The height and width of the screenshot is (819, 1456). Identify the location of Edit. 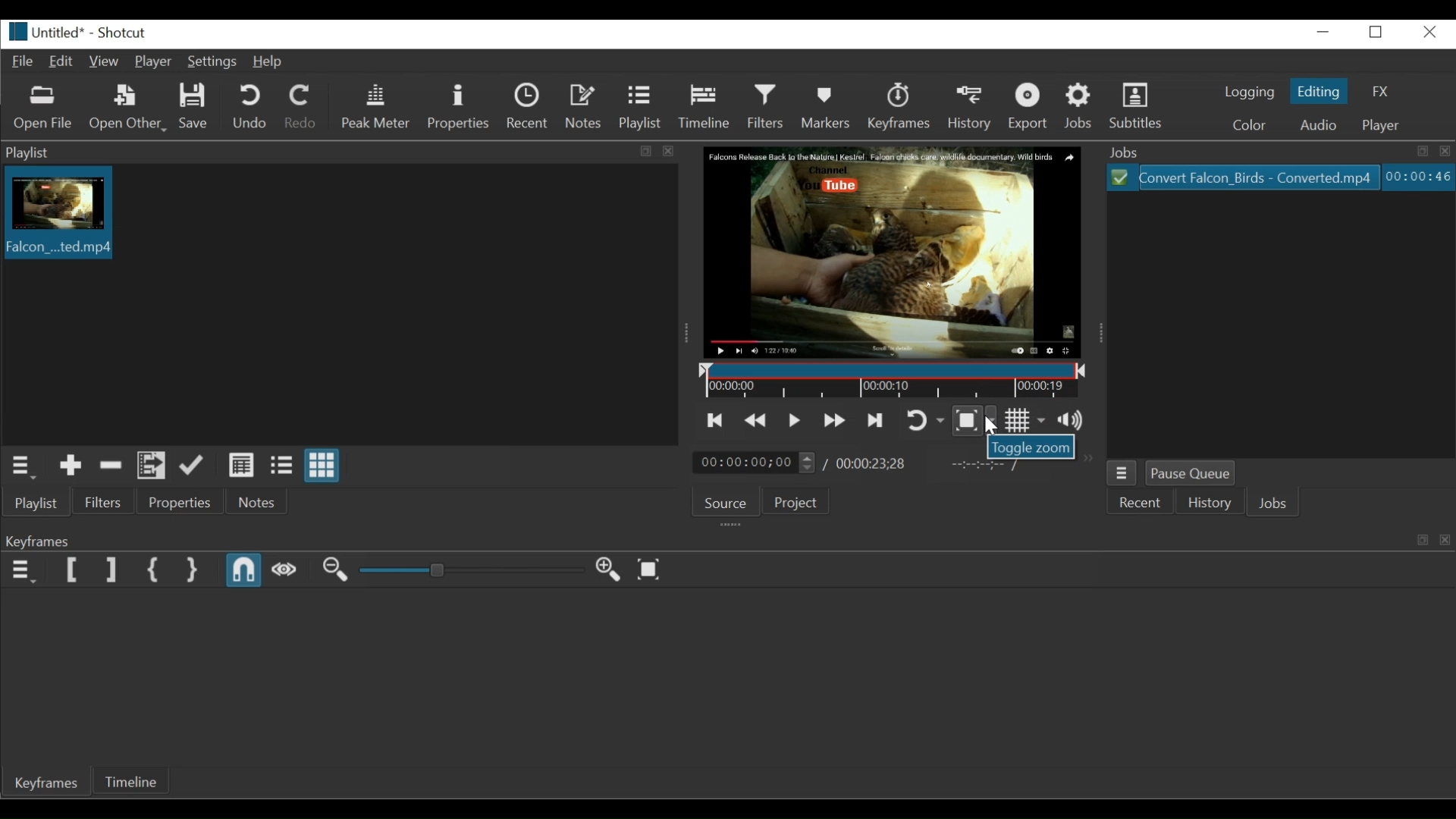
(61, 62).